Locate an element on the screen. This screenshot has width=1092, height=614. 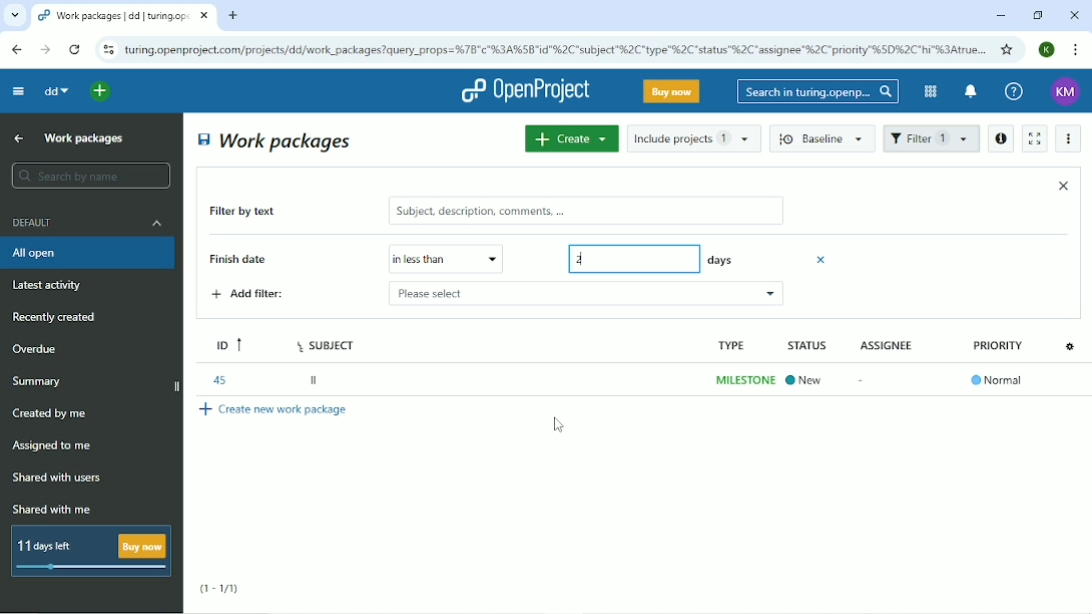
View site information is located at coordinates (108, 50).